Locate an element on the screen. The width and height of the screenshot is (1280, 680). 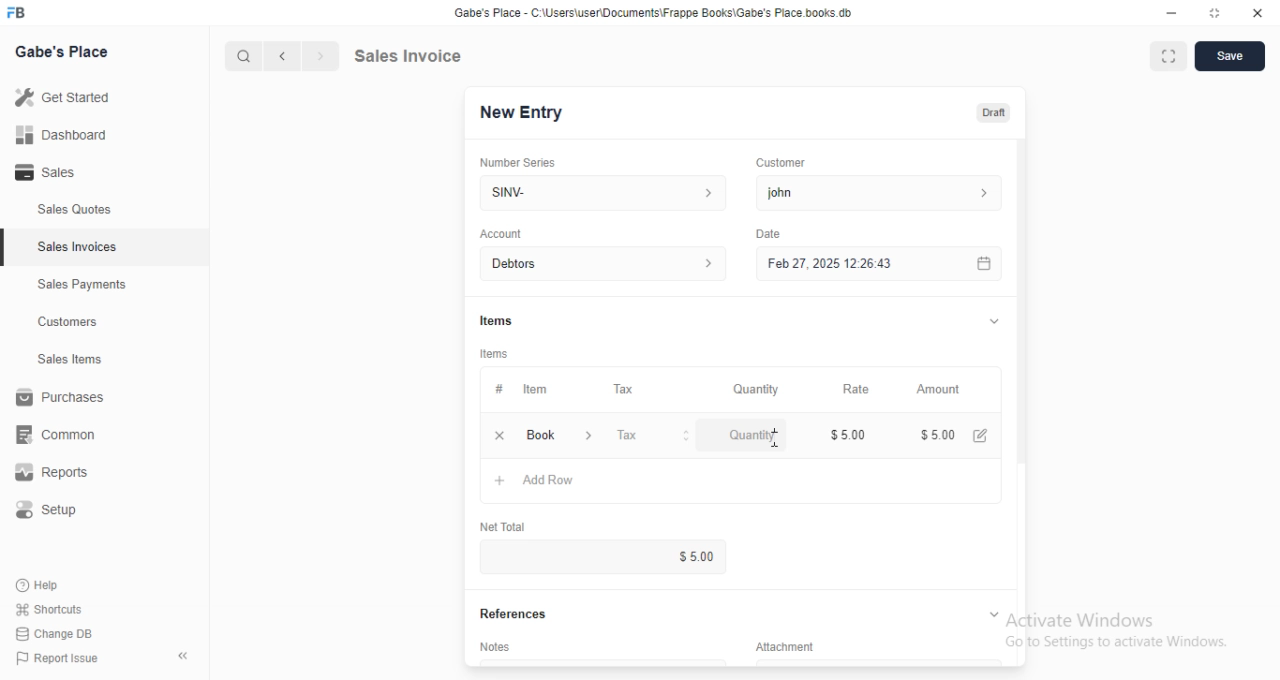
Save is located at coordinates (1233, 56).